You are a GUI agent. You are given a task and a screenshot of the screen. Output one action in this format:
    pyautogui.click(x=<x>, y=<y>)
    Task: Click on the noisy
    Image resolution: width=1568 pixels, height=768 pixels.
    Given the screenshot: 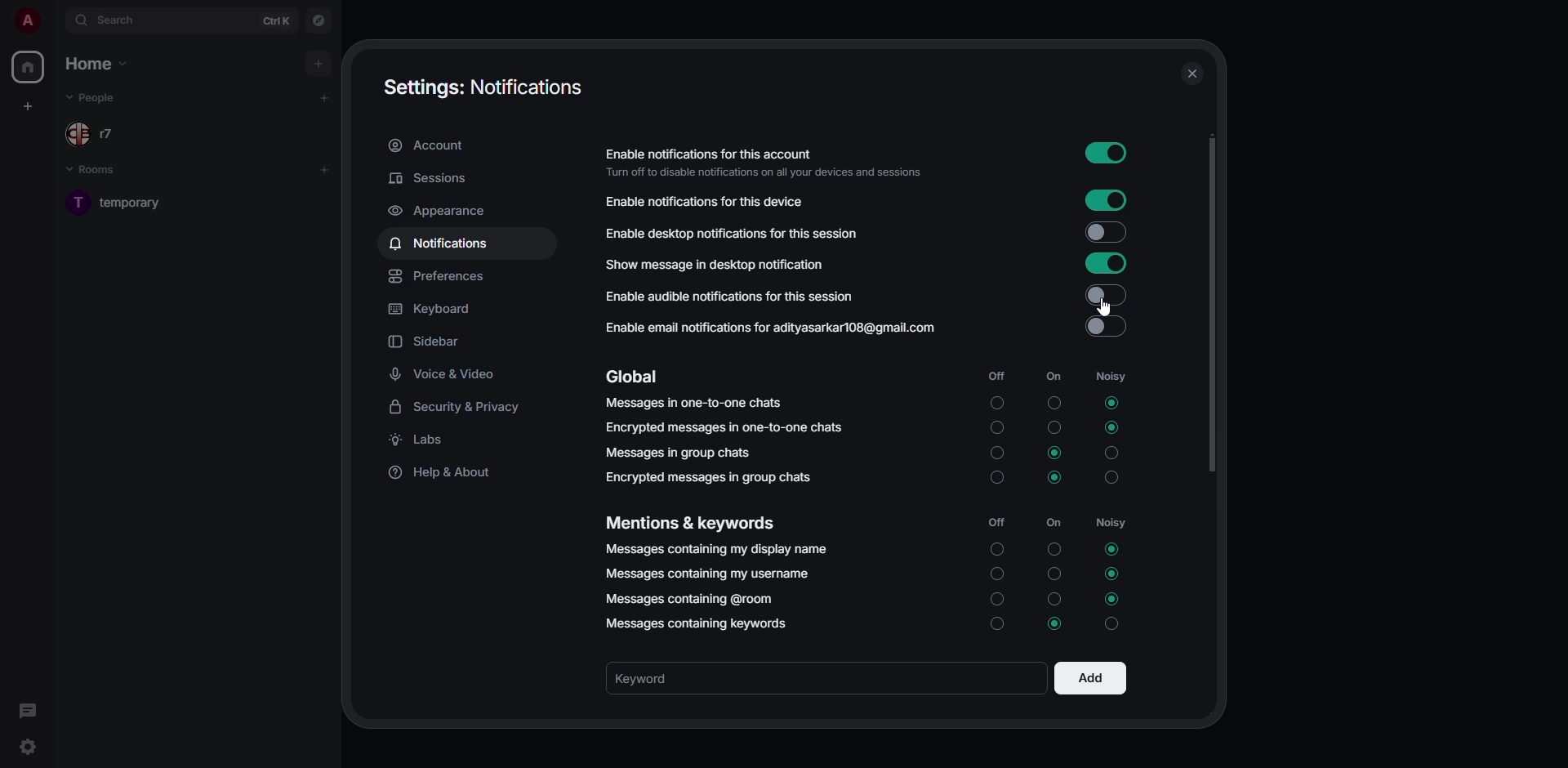 What is the action you would take?
    pyautogui.click(x=1111, y=376)
    